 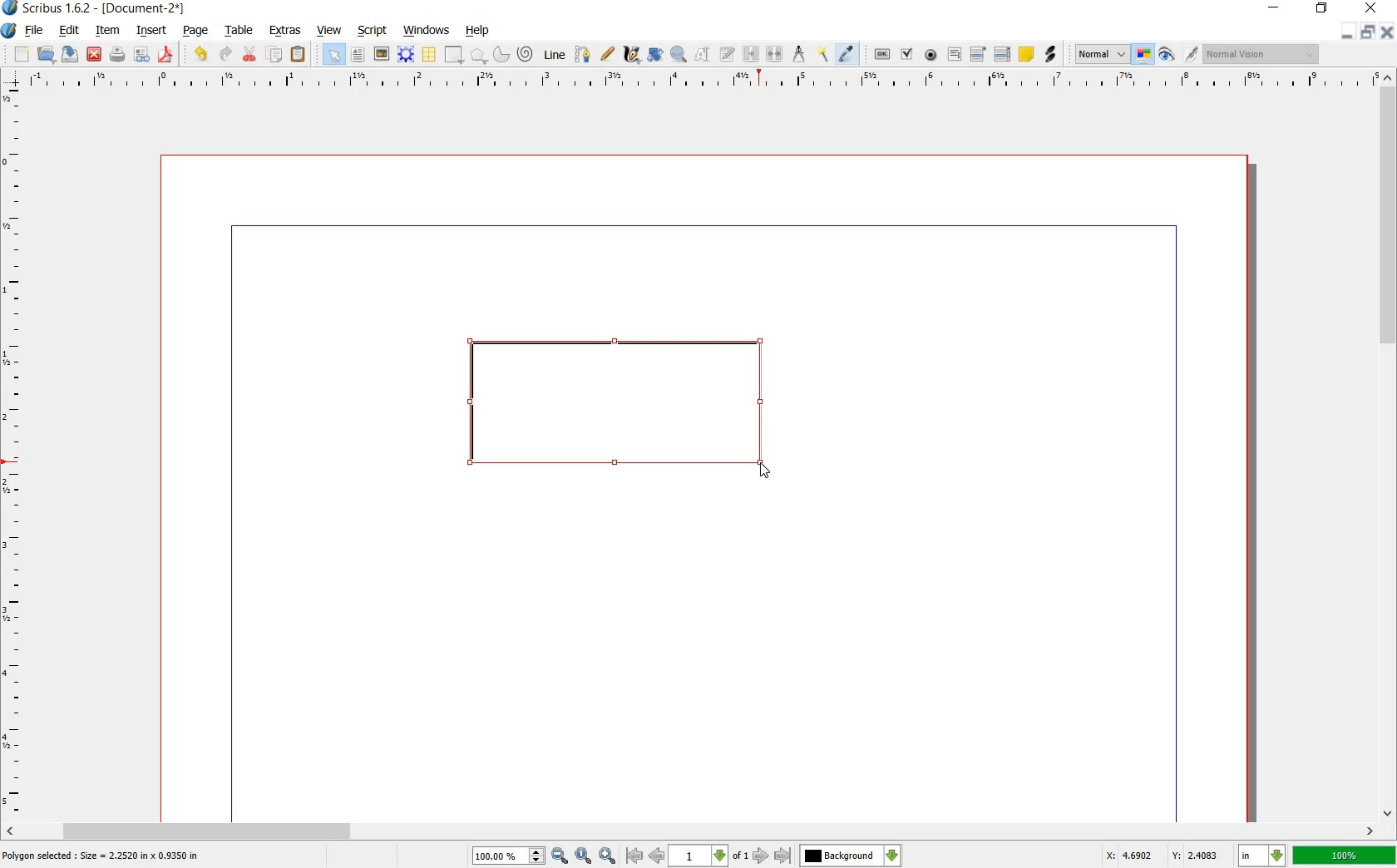 I want to click on ZOOM IN OR OUT, so click(x=680, y=52).